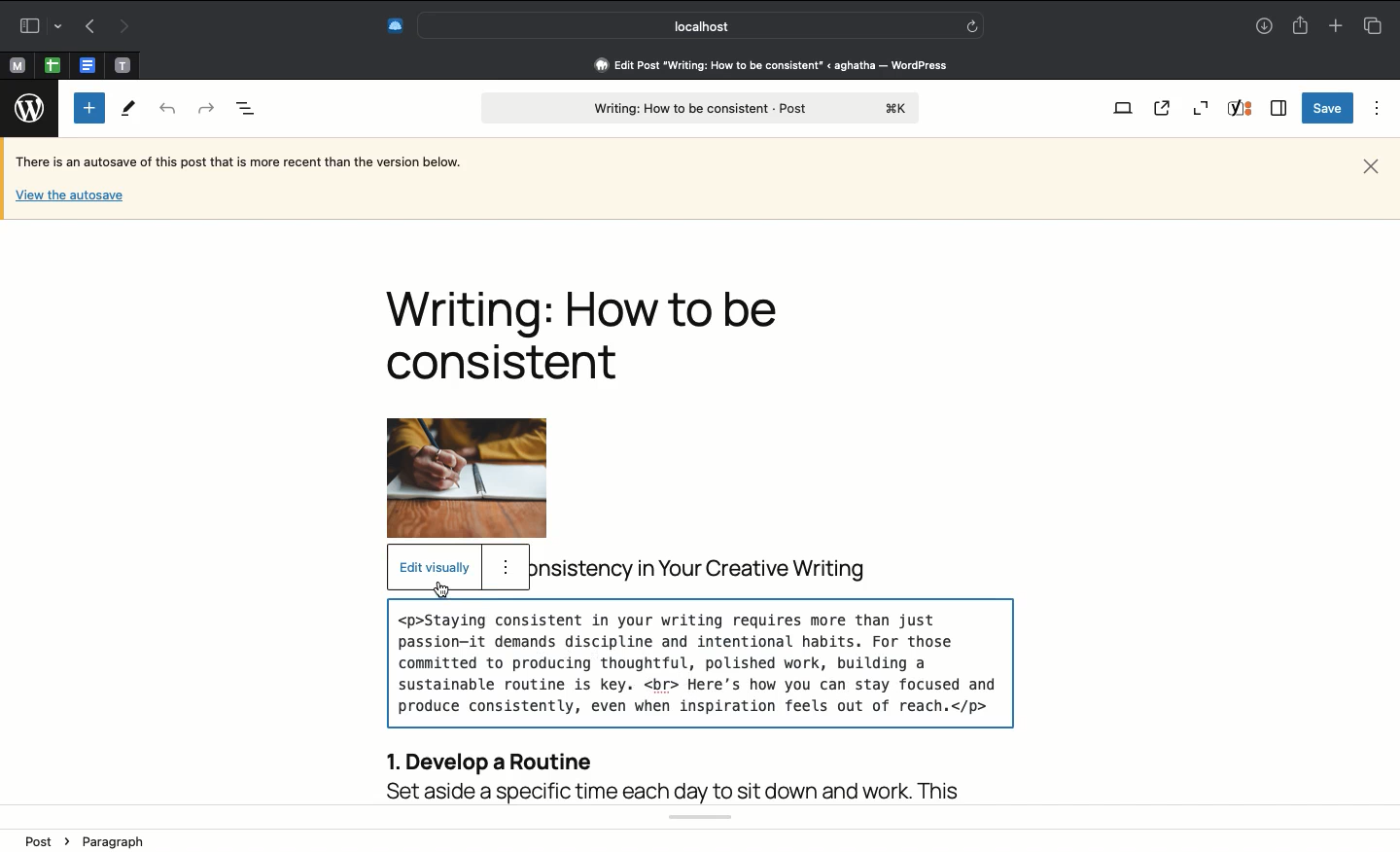  I want to click on Sidebar, so click(1279, 108).